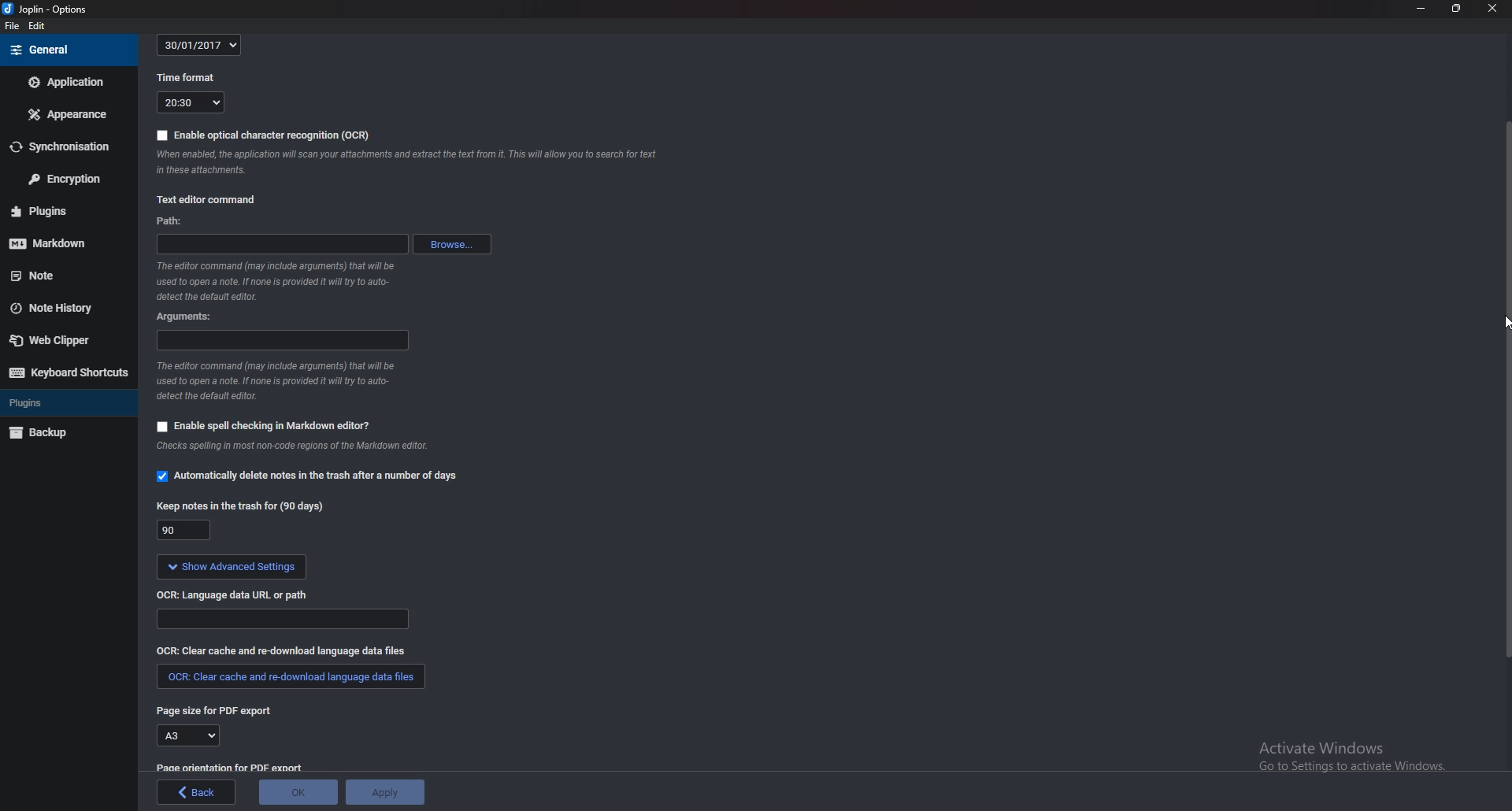 The image size is (1512, 811). Describe the element at coordinates (66, 402) in the screenshot. I see `Plugins` at that location.